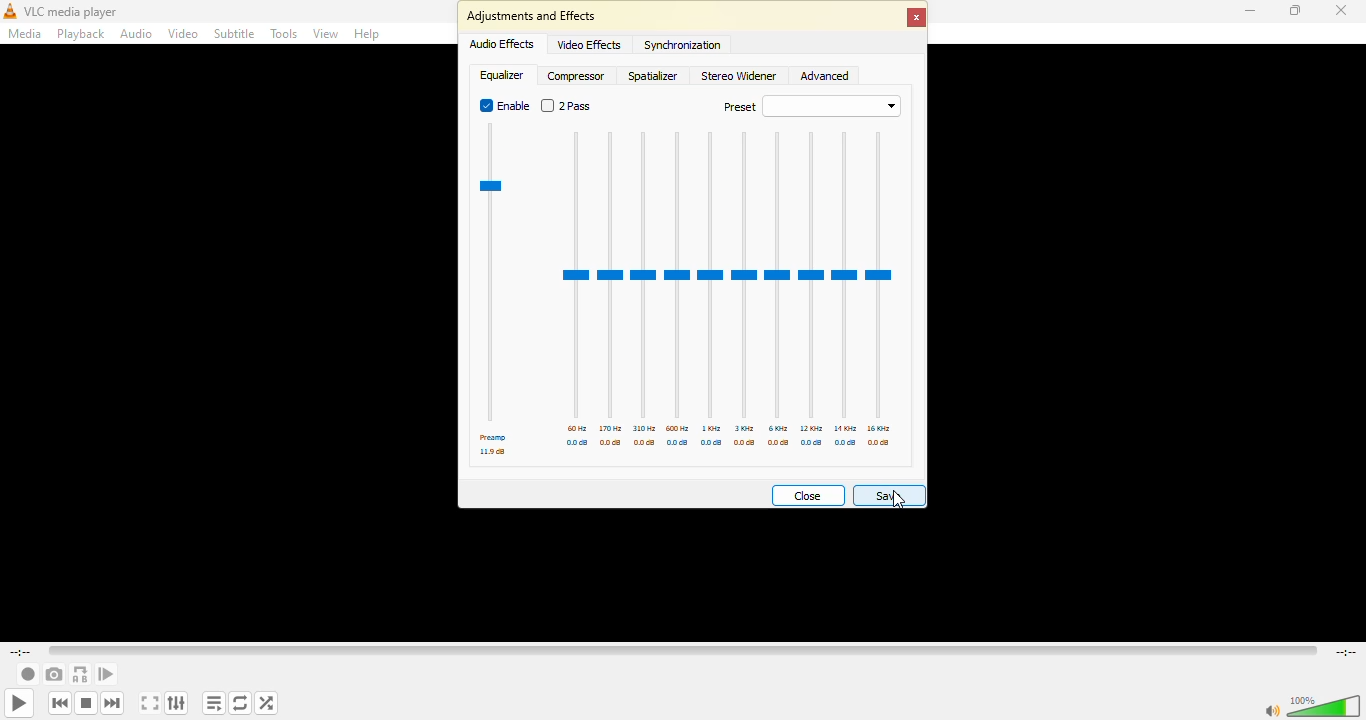 The image size is (1366, 720). Describe the element at coordinates (918, 17) in the screenshot. I see `close` at that location.